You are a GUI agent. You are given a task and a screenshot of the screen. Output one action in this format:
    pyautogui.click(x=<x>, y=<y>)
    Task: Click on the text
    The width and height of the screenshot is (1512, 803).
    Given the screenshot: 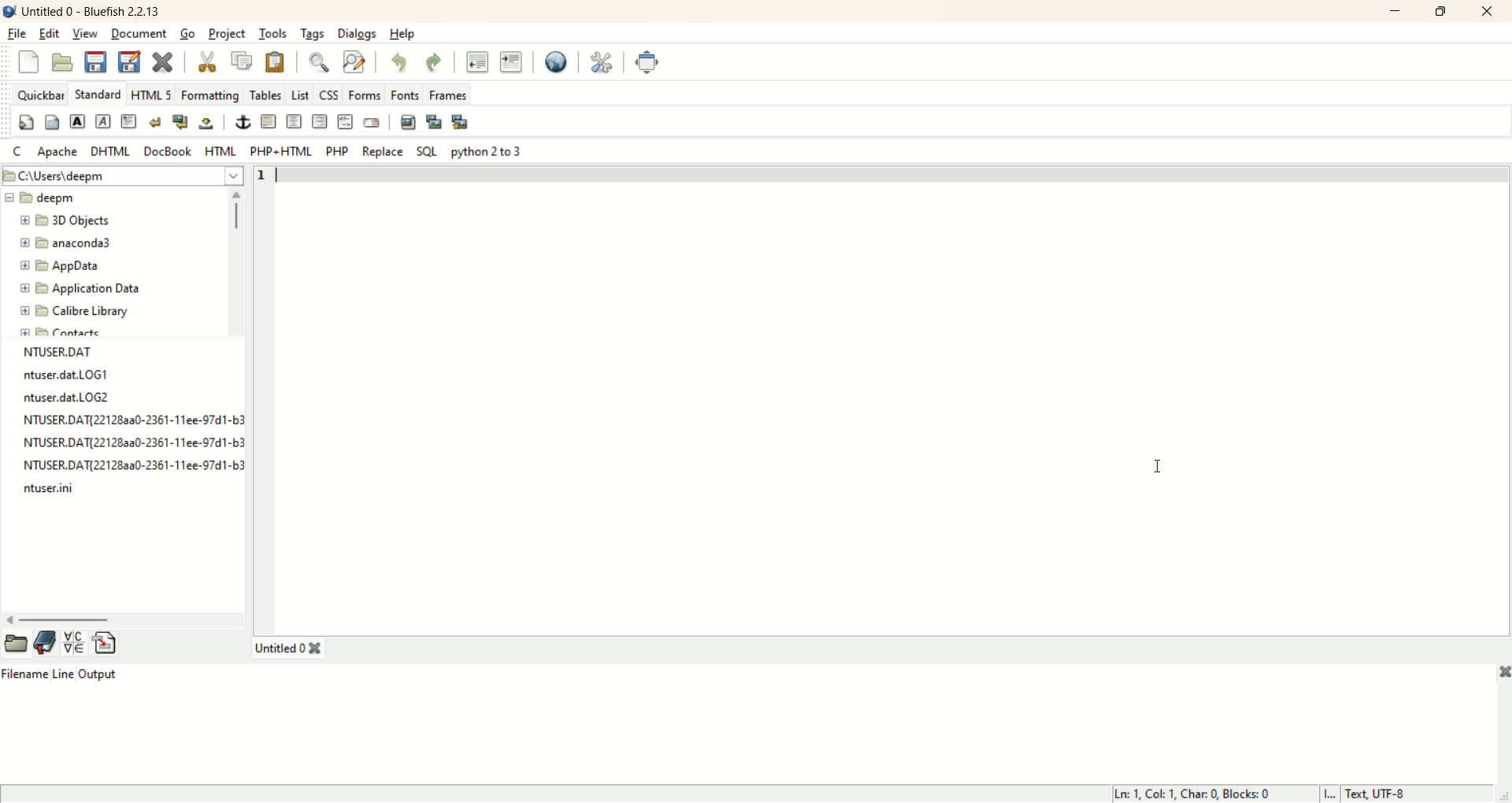 What is the action you would take?
    pyautogui.click(x=132, y=420)
    